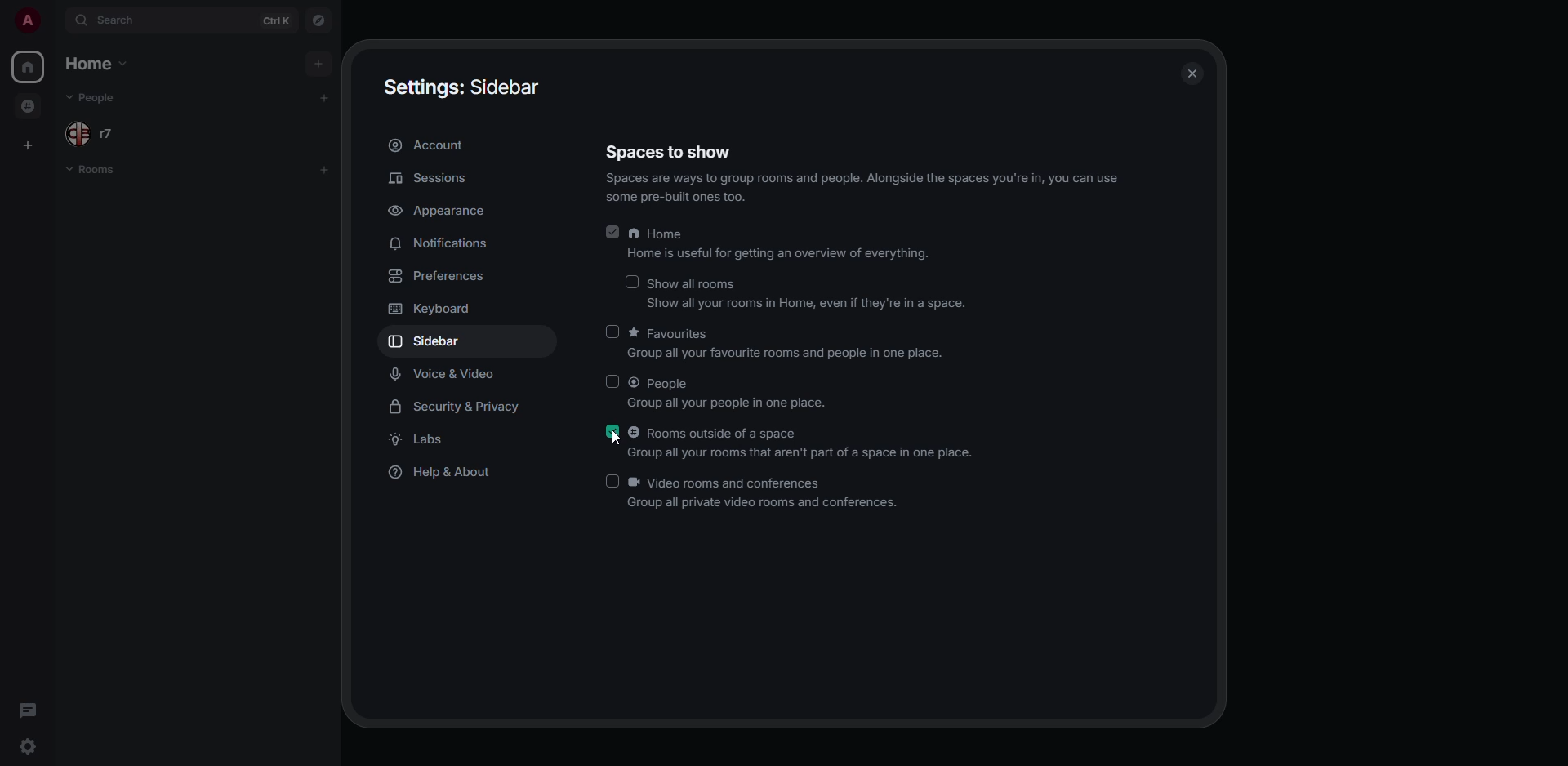 The image size is (1568, 766). What do you see at coordinates (94, 133) in the screenshot?
I see `people` at bounding box center [94, 133].